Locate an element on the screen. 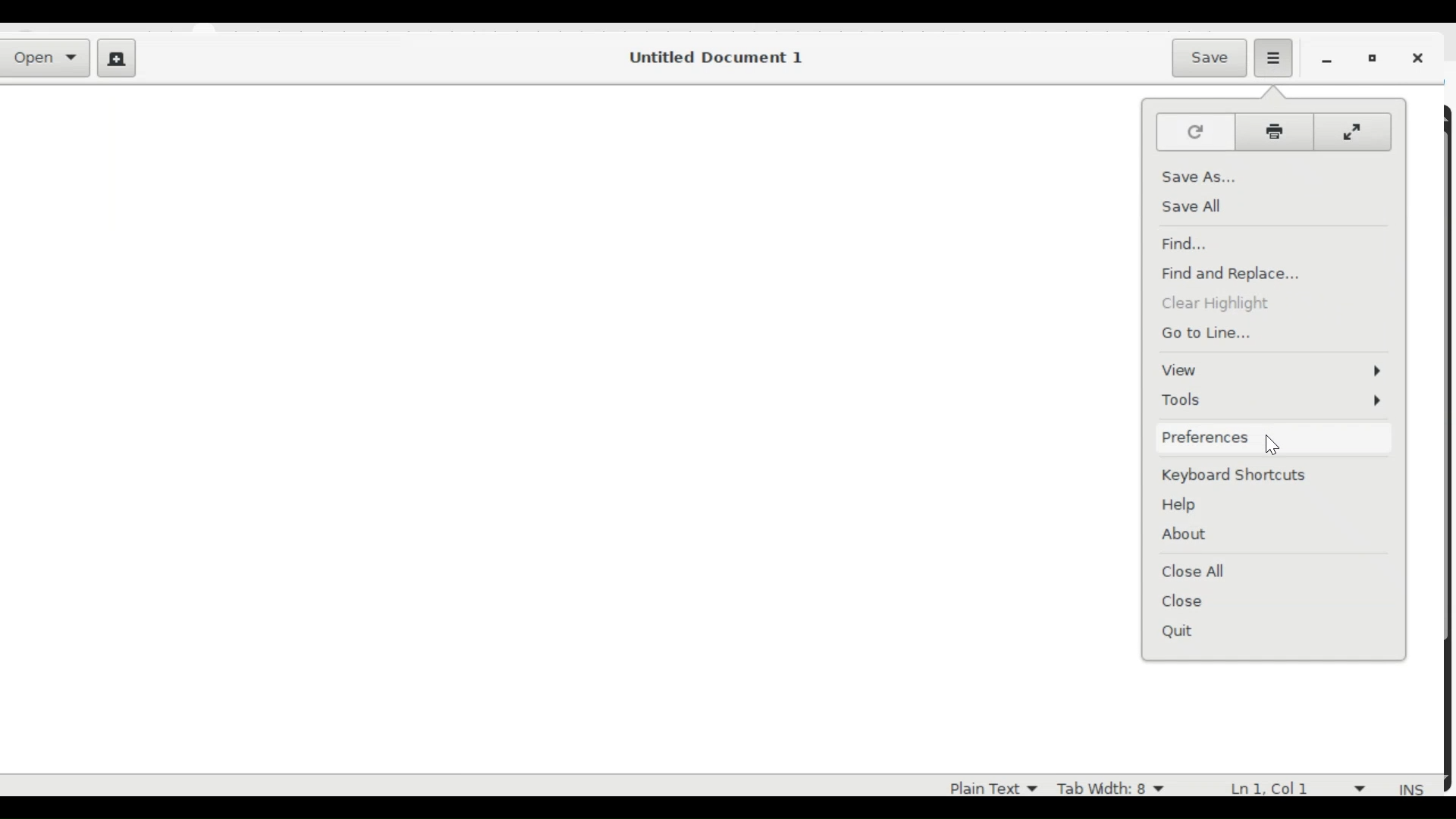  Help is located at coordinates (1185, 506).